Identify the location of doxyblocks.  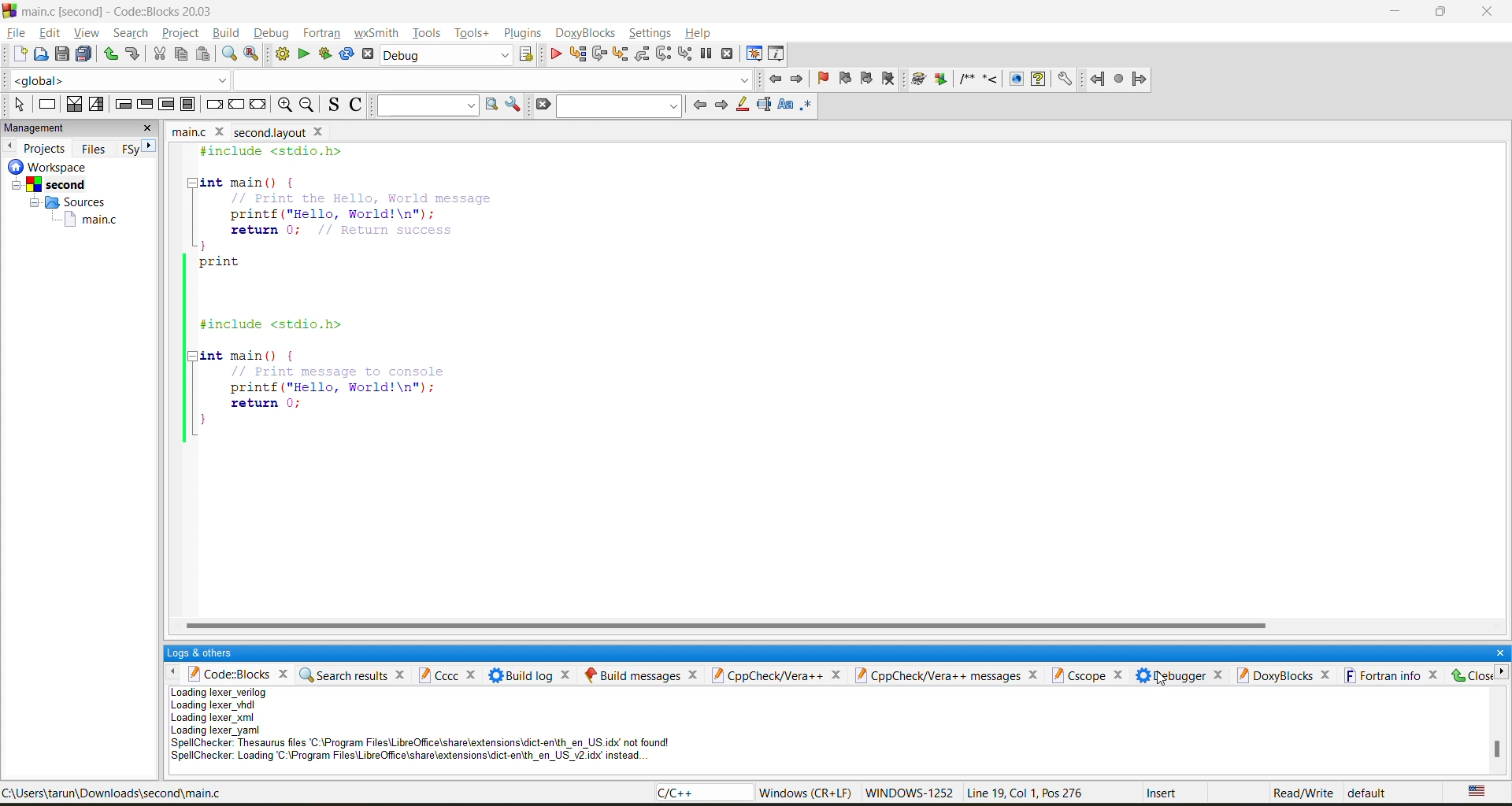
(1285, 677).